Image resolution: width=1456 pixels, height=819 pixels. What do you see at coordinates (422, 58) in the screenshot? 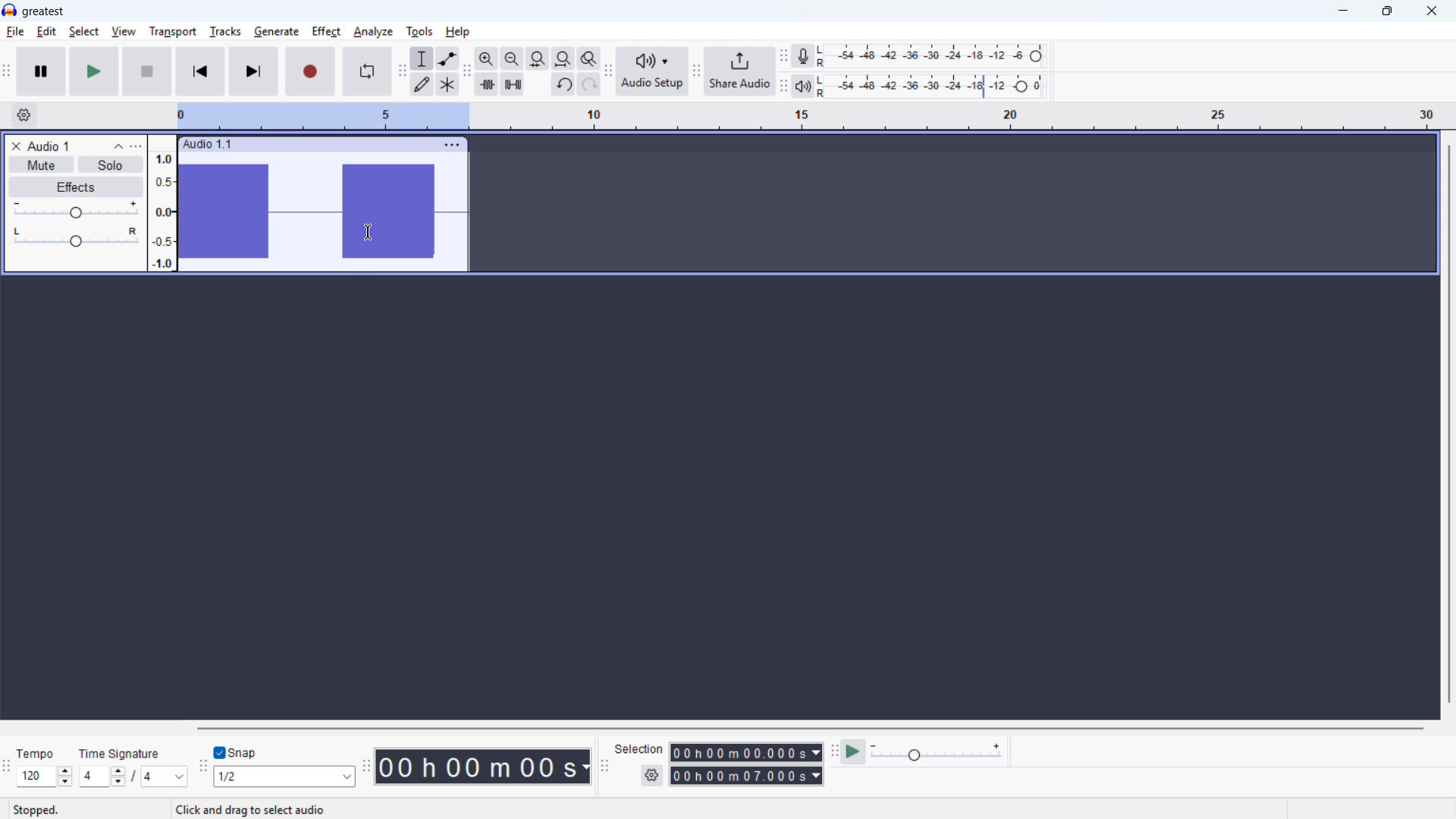
I see `Selection tool ` at bounding box center [422, 58].